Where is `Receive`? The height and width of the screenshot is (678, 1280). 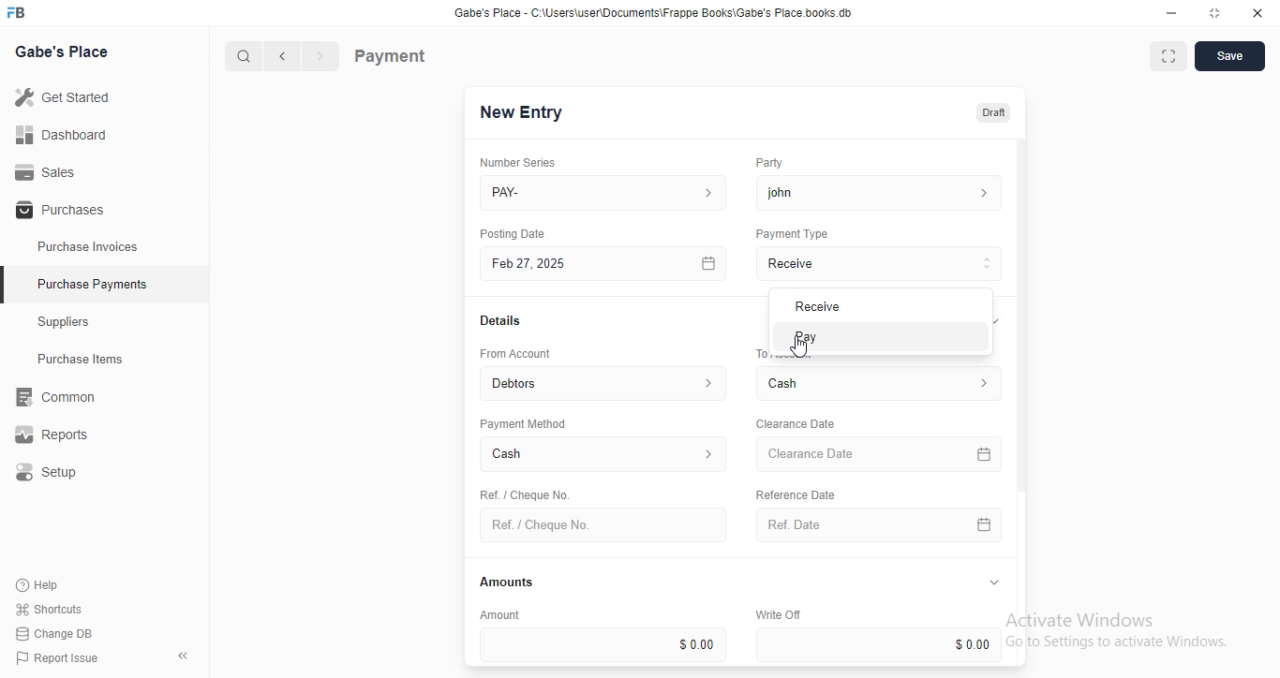 Receive is located at coordinates (880, 263).